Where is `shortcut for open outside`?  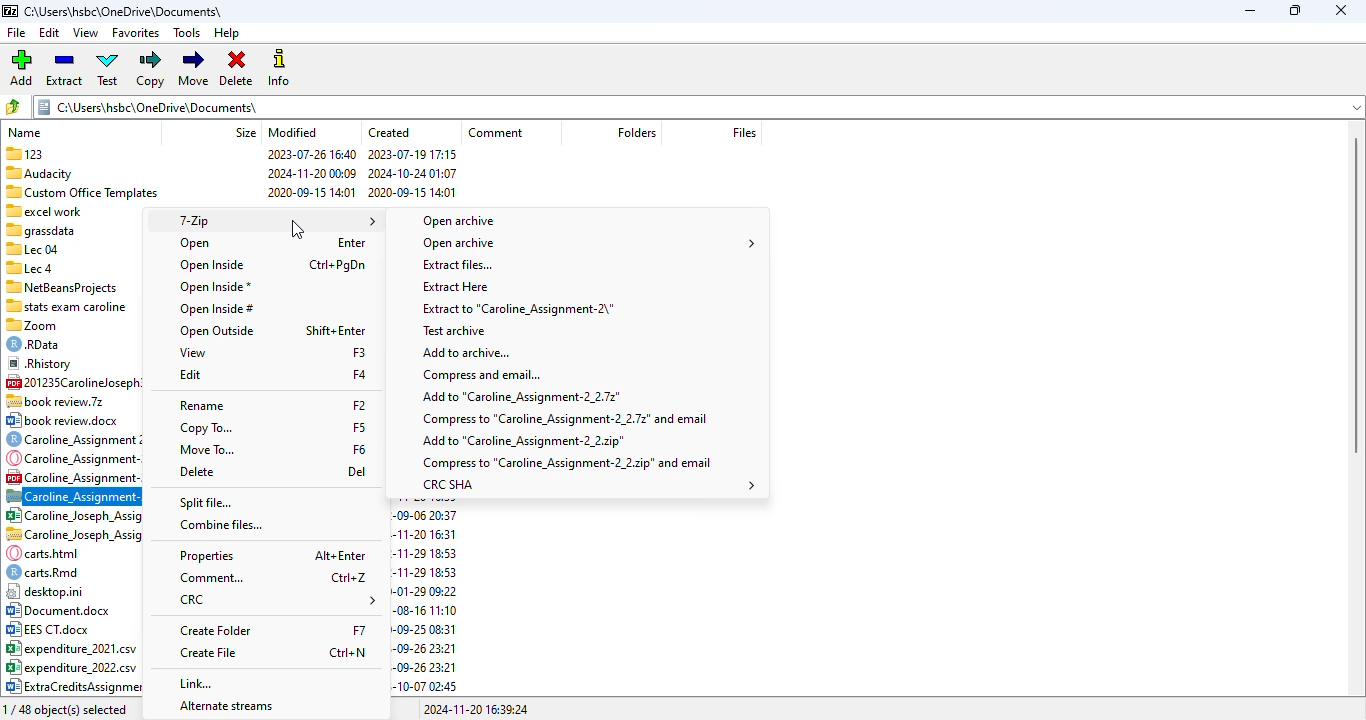 shortcut for open outside is located at coordinates (336, 331).